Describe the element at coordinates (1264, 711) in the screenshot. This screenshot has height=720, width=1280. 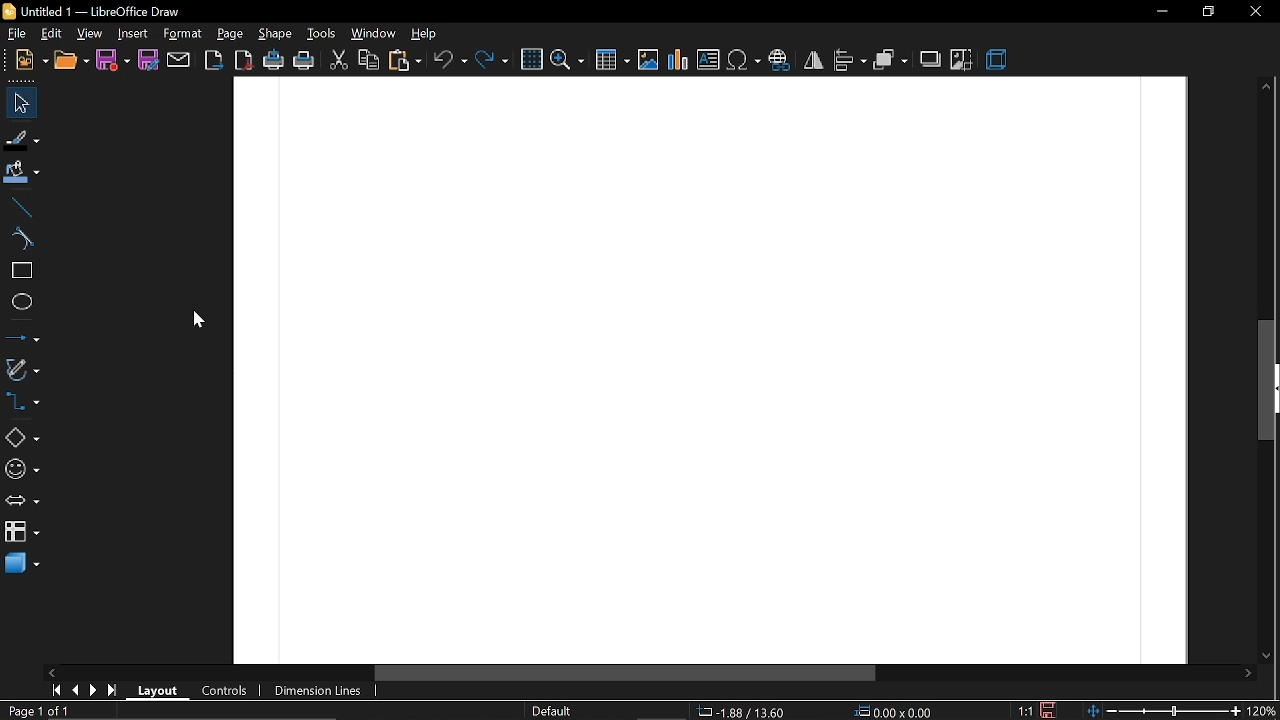
I see `20%` at that location.